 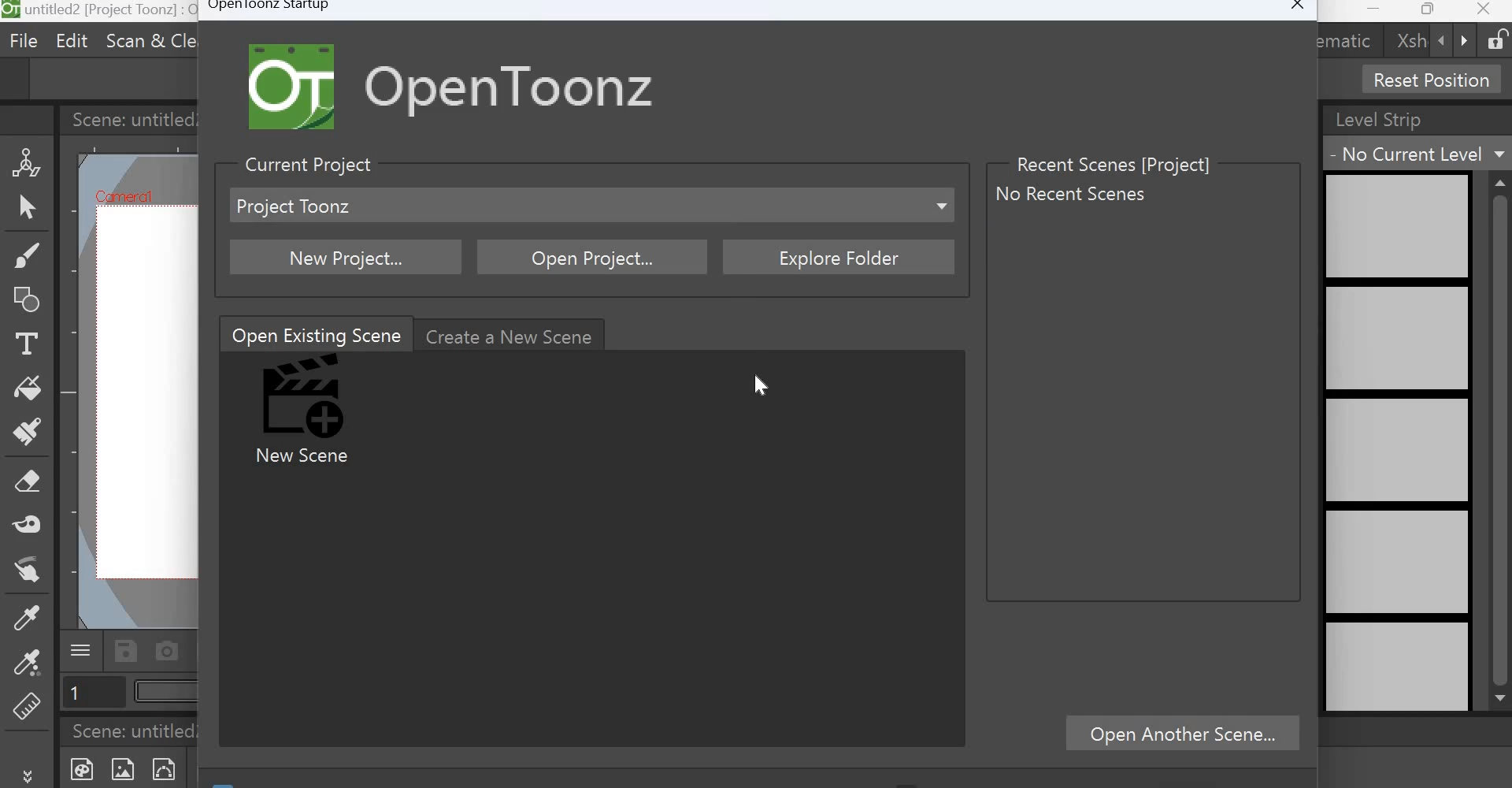 What do you see at coordinates (1437, 39) in the screenshot?
I see `backward` at bounding box center [1437, 39].